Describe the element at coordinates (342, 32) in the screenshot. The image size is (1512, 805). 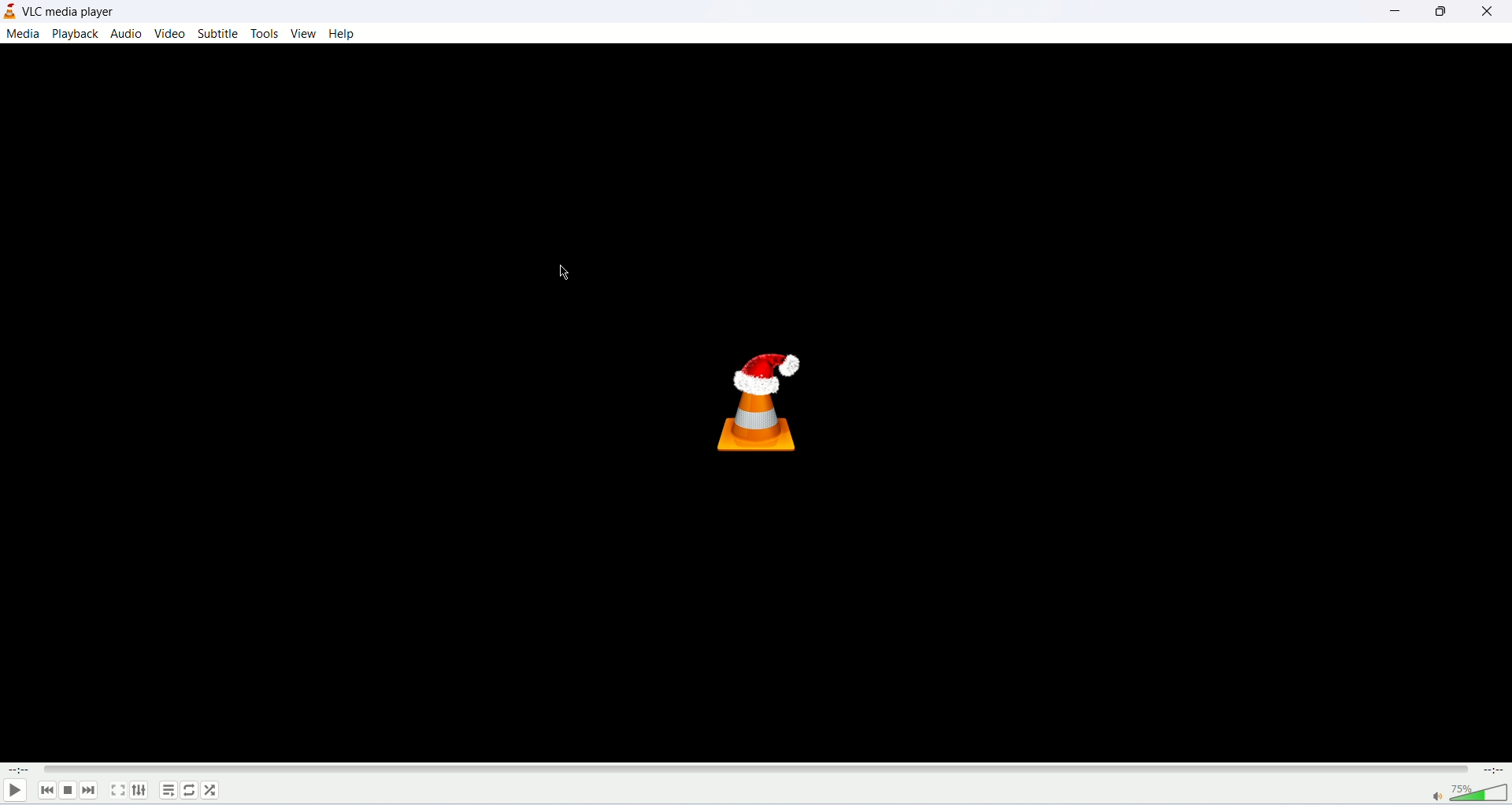
I see `help` at that location.